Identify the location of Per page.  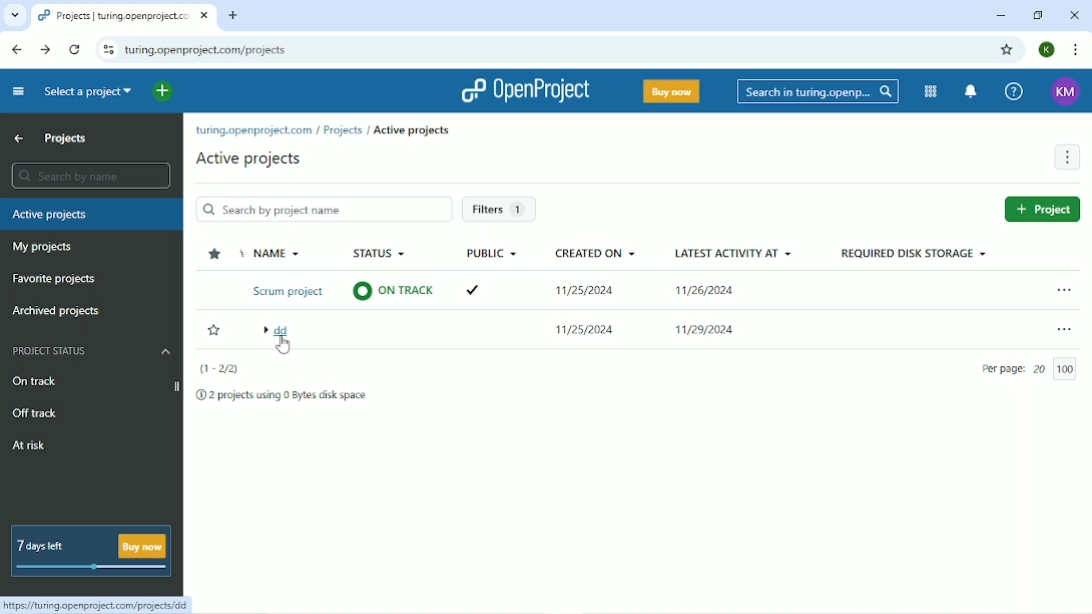
(1034, 369).